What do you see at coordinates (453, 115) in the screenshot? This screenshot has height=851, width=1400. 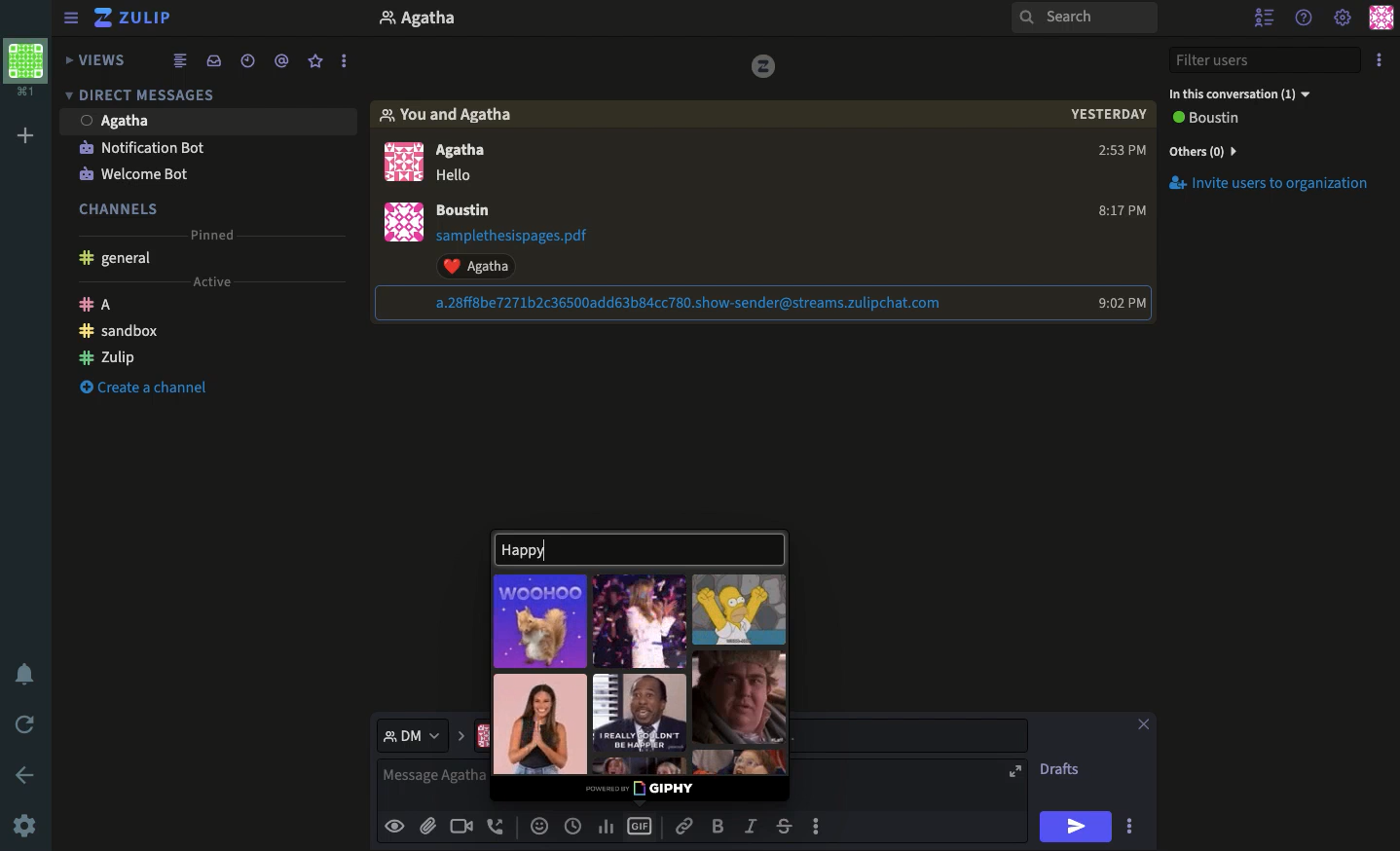 I see `You and user` at bounding box center [453, 115].